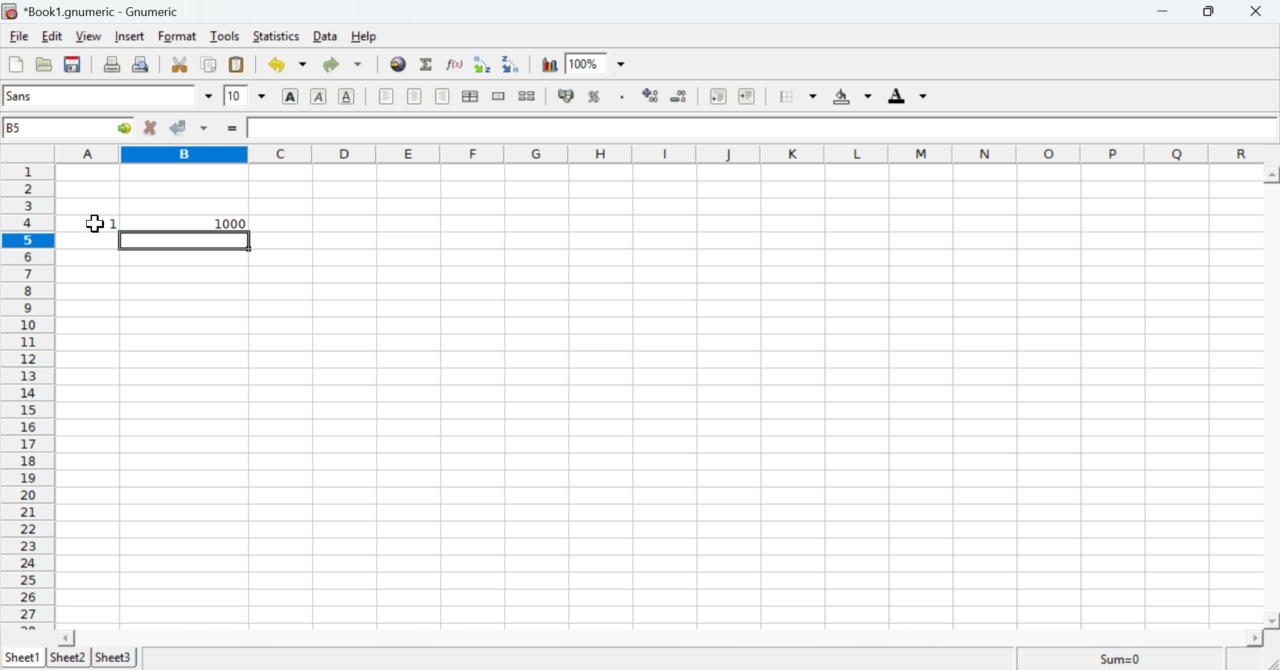  Describe the element at coordinates (747, 97) in the screenshot. I see `Increase indent, align to the left.` at that location.